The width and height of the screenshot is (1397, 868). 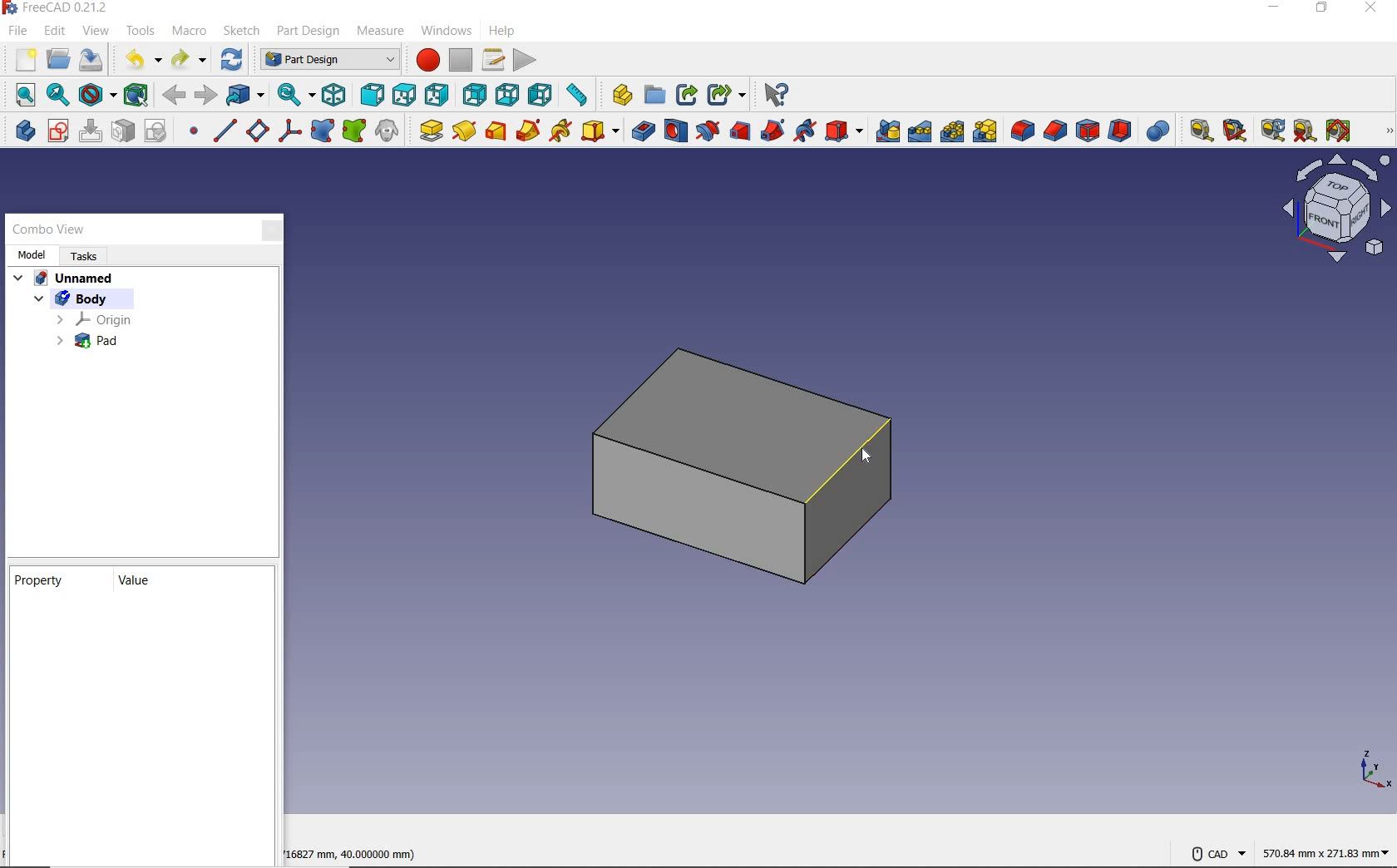 I want to click on macro recording, so click(x=423, y=61).